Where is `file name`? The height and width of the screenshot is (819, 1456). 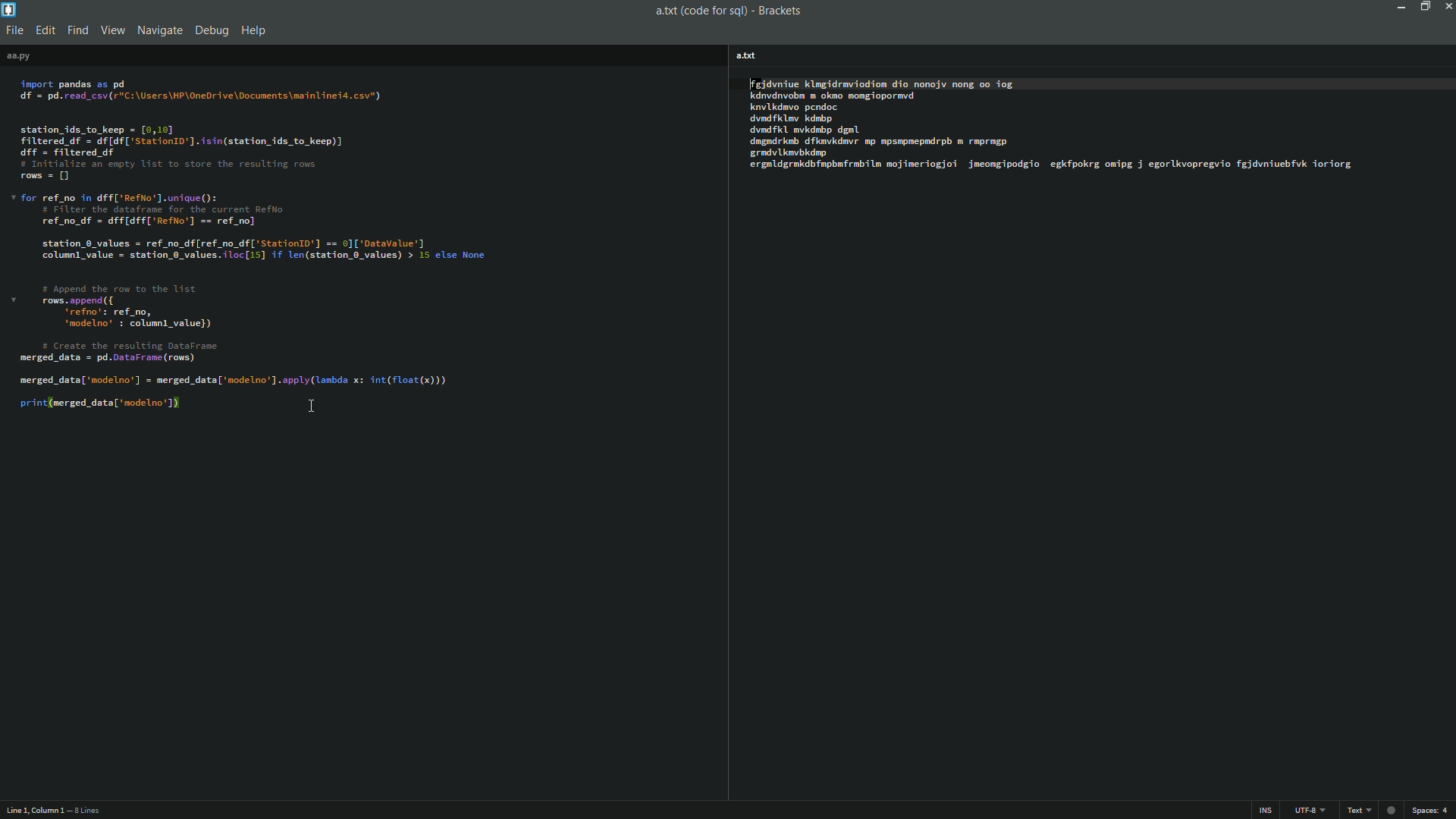 file name is located at coordinates (20, 58).